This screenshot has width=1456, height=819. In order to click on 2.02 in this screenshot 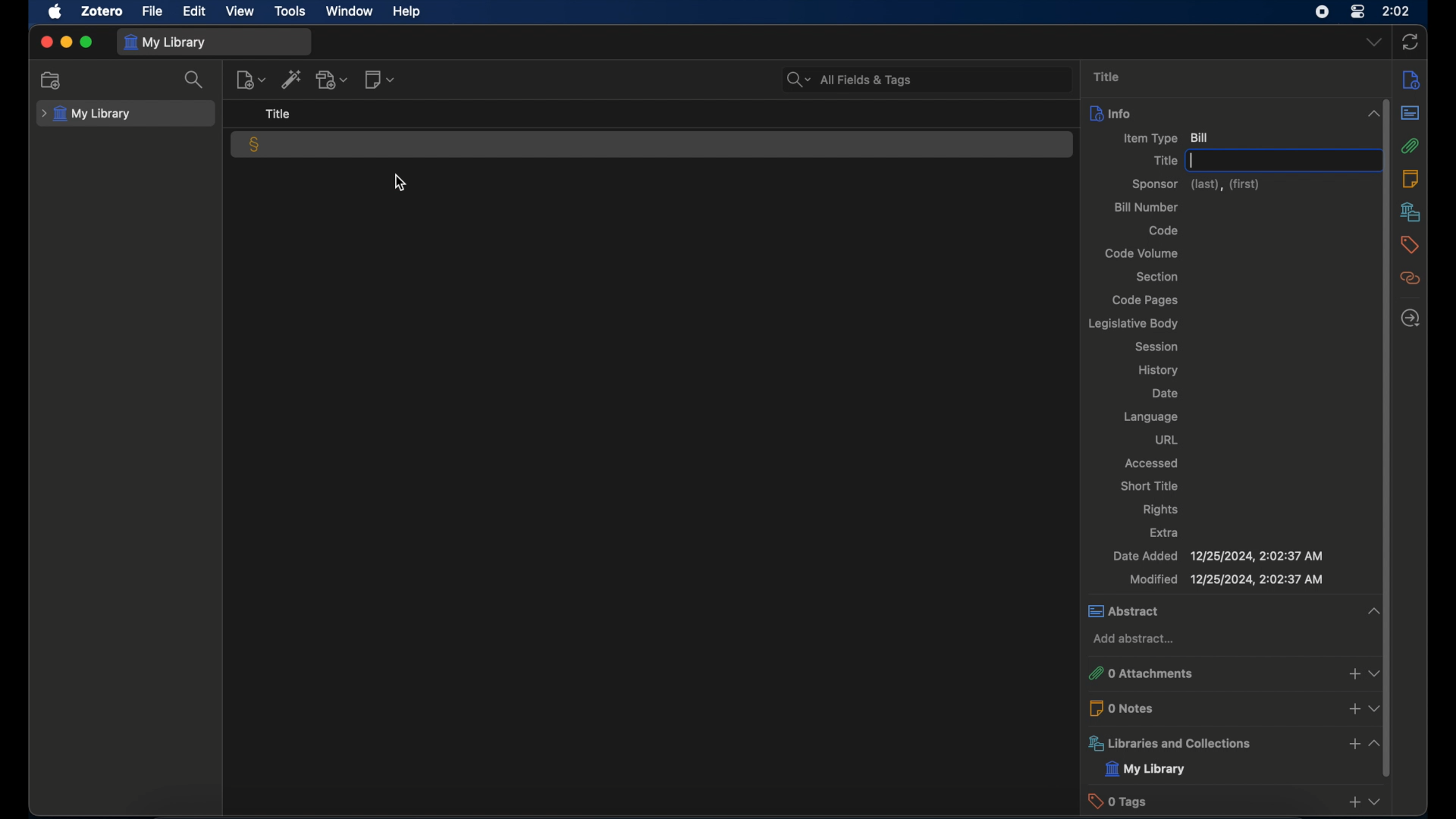, I will do `click(1397, 10)`.